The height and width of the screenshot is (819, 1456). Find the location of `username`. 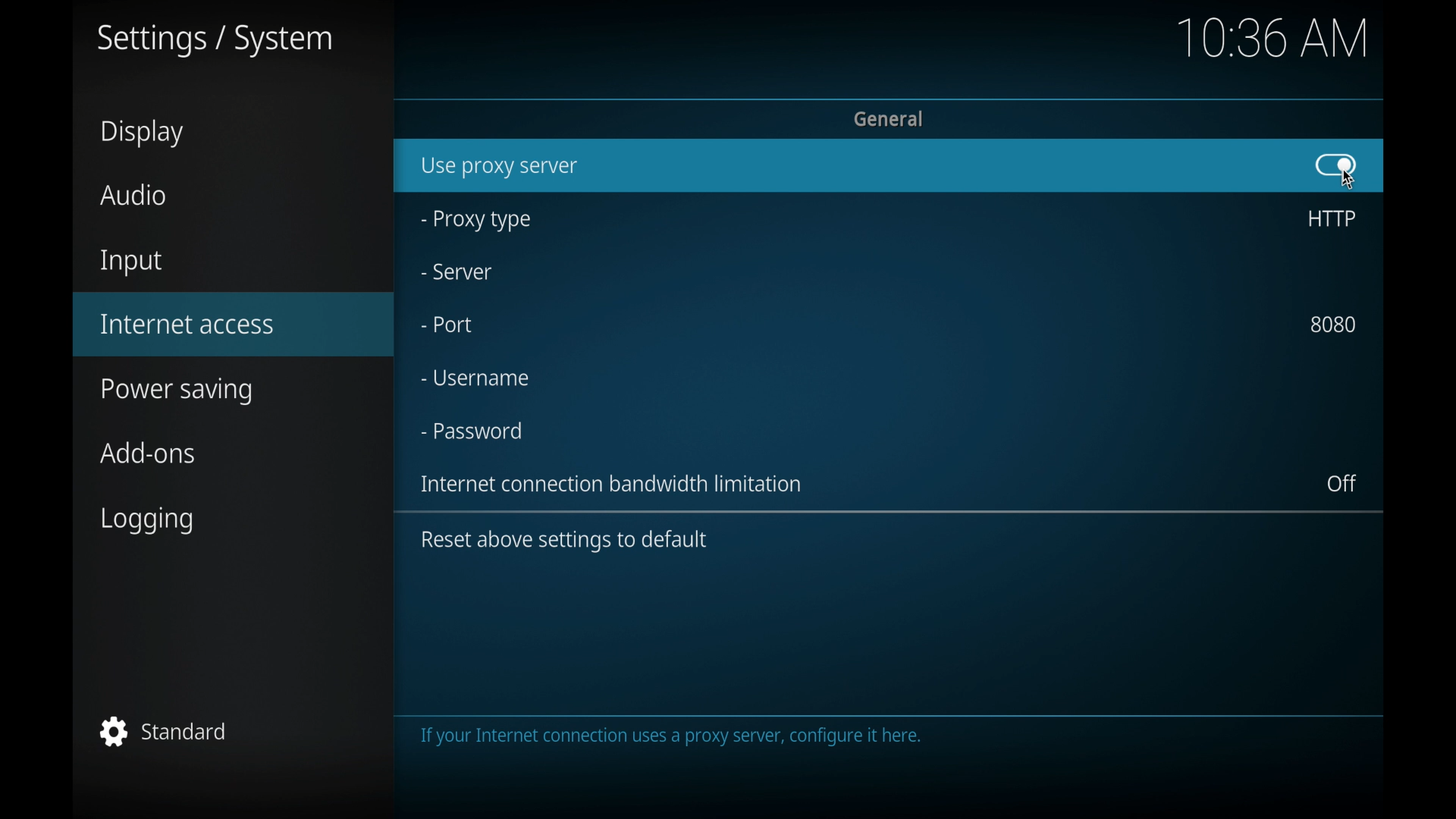

username is located at coordinates (474, 378).